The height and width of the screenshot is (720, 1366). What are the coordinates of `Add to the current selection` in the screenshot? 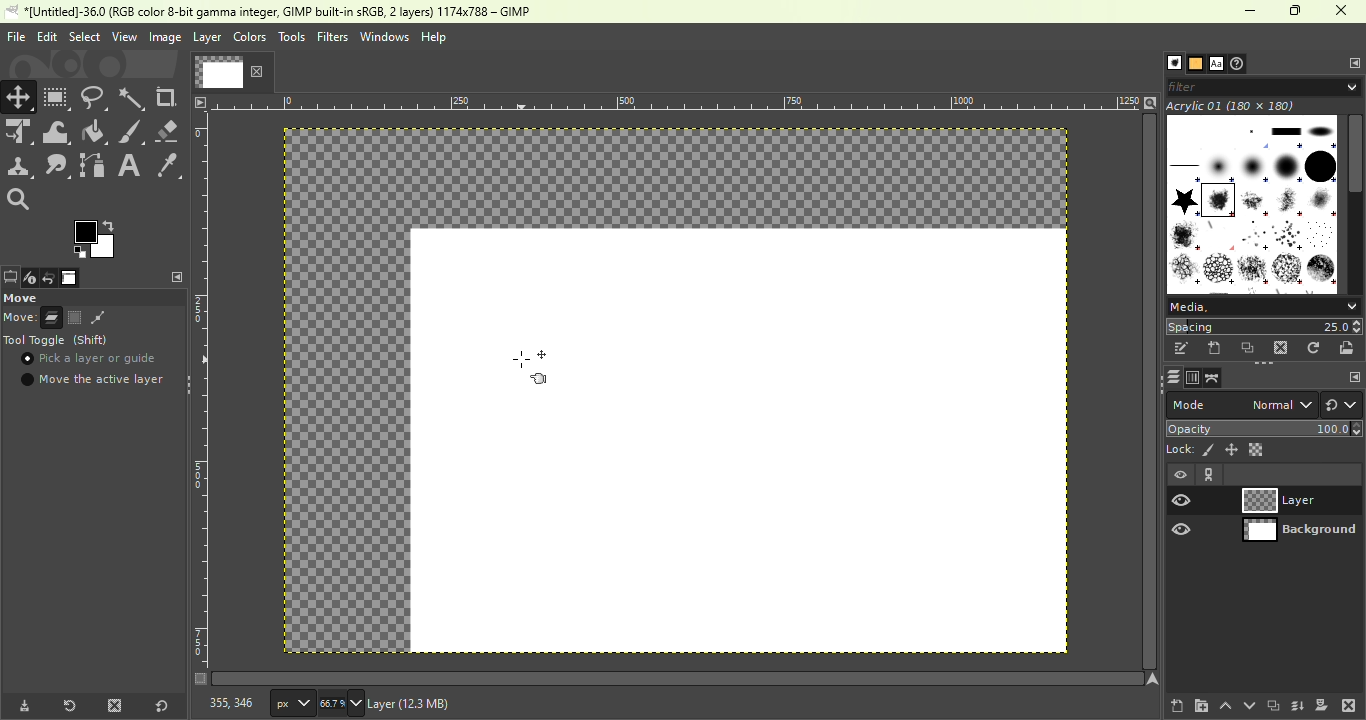 It's located at (74, 317).